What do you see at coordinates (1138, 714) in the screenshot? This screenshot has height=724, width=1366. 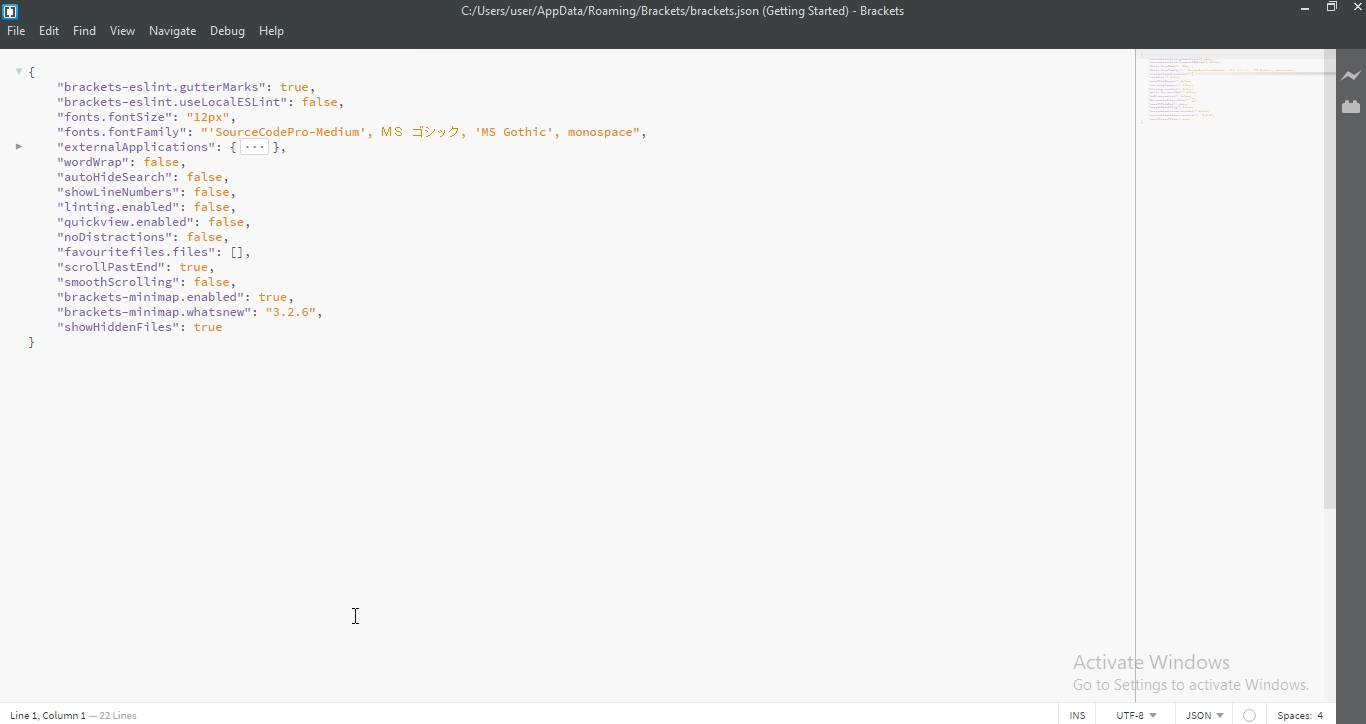 I see ` UTF-8` at bounding box center [1138, 714].